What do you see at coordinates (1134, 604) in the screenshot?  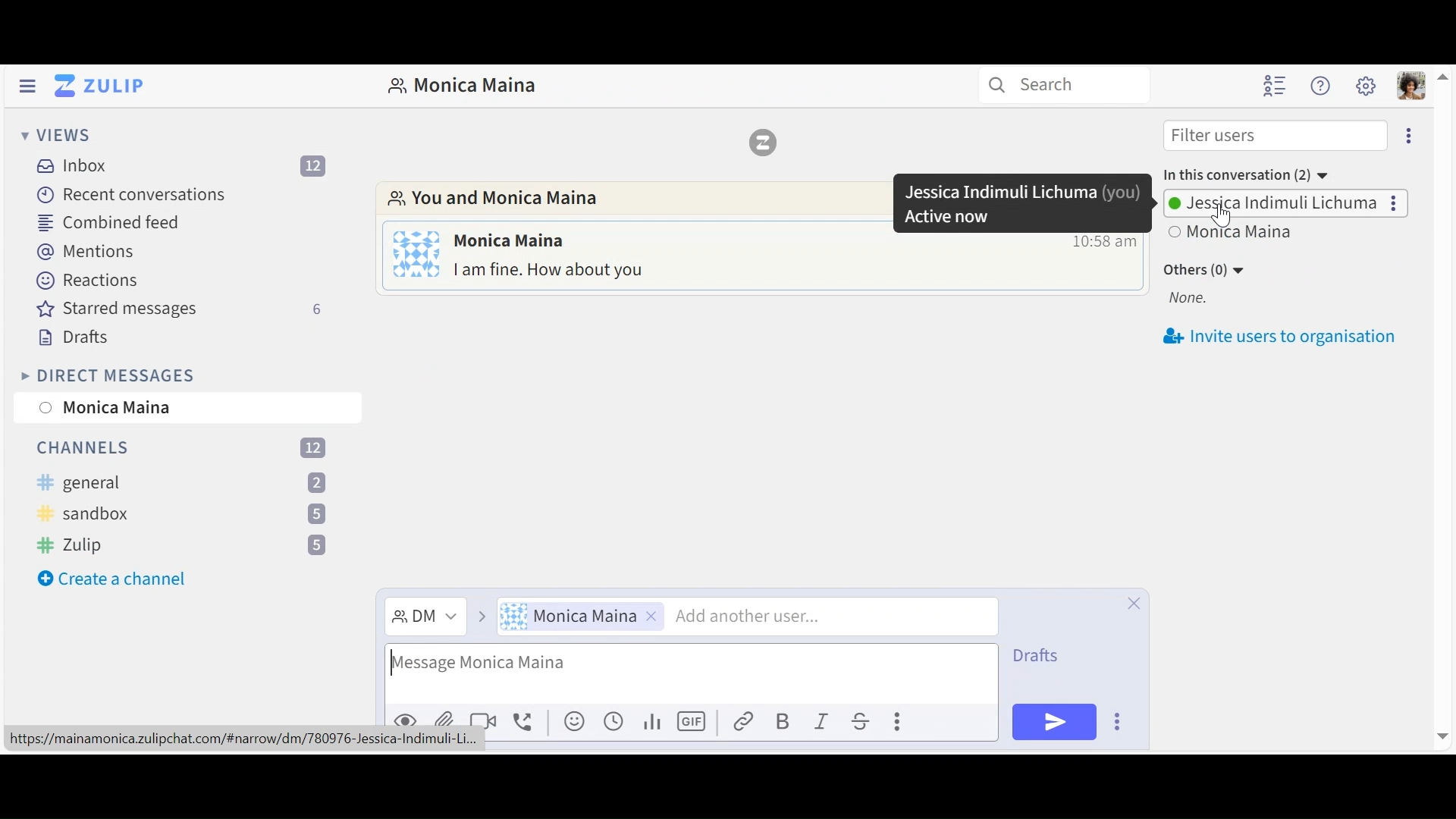 I see `Close` at bounding box center [1134, 604].